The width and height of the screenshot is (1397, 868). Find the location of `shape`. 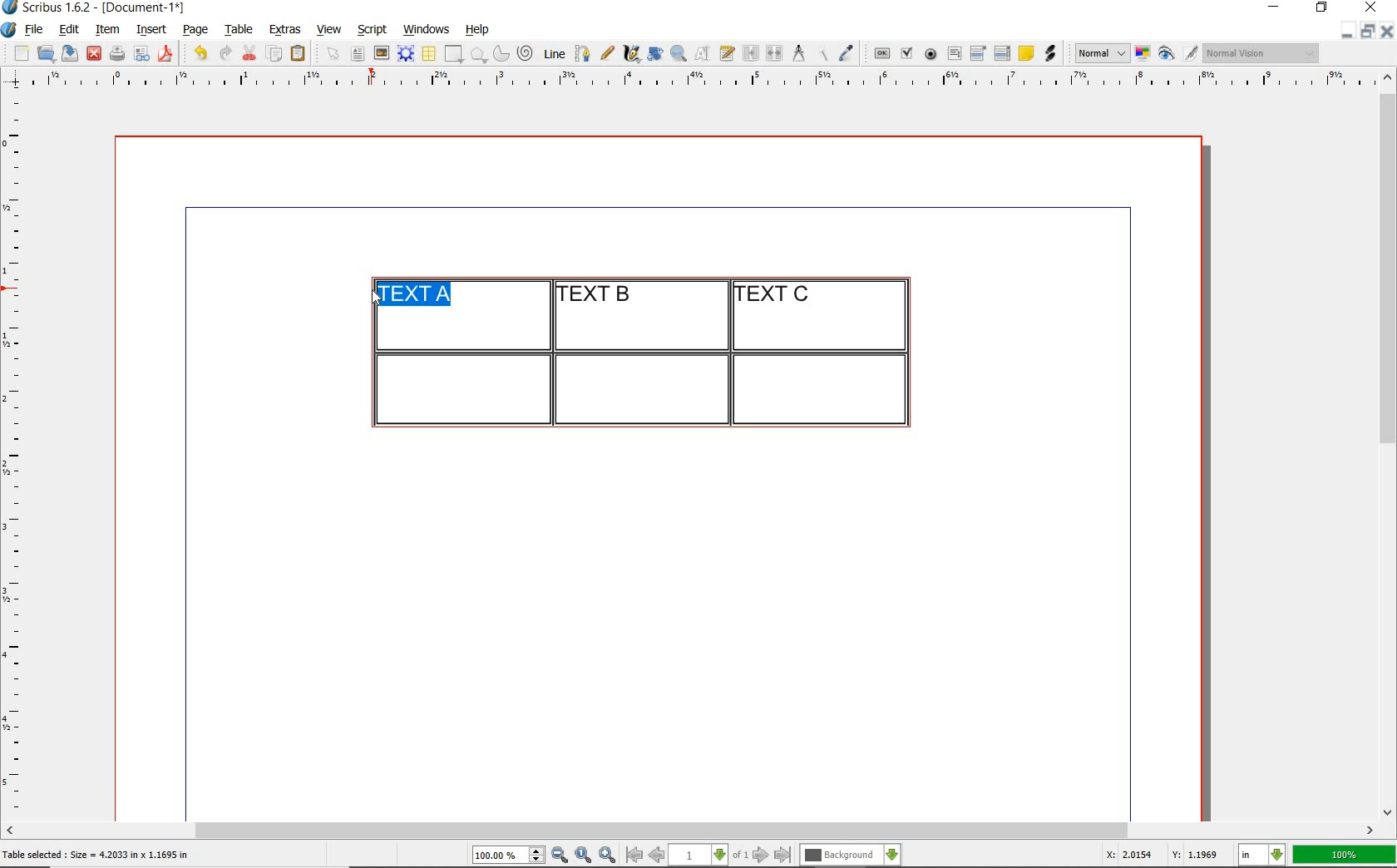

shape is located at coordinates (456, 55).